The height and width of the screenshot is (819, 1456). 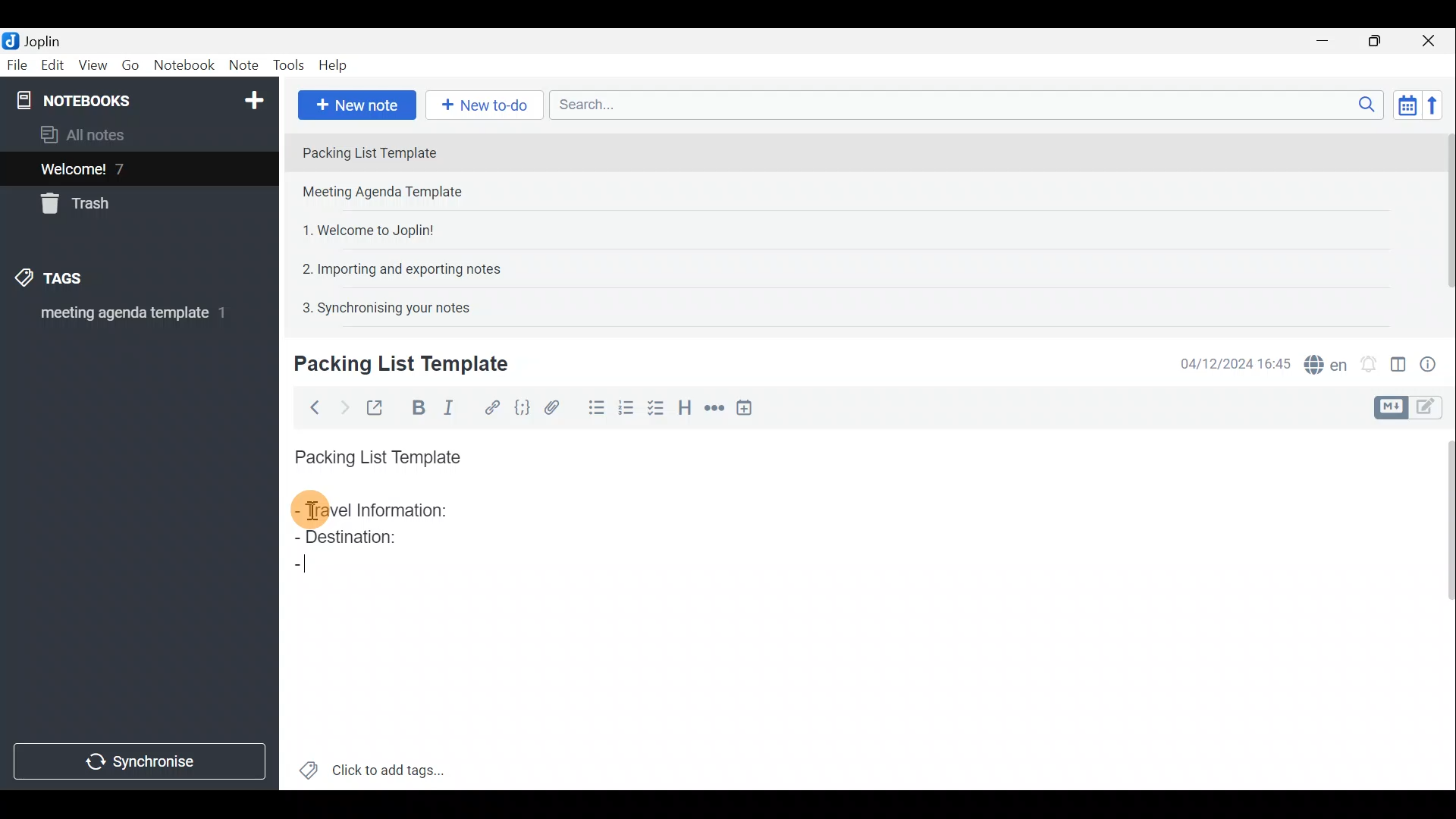 I want to click on Note 3, so click(x=362, y=228).